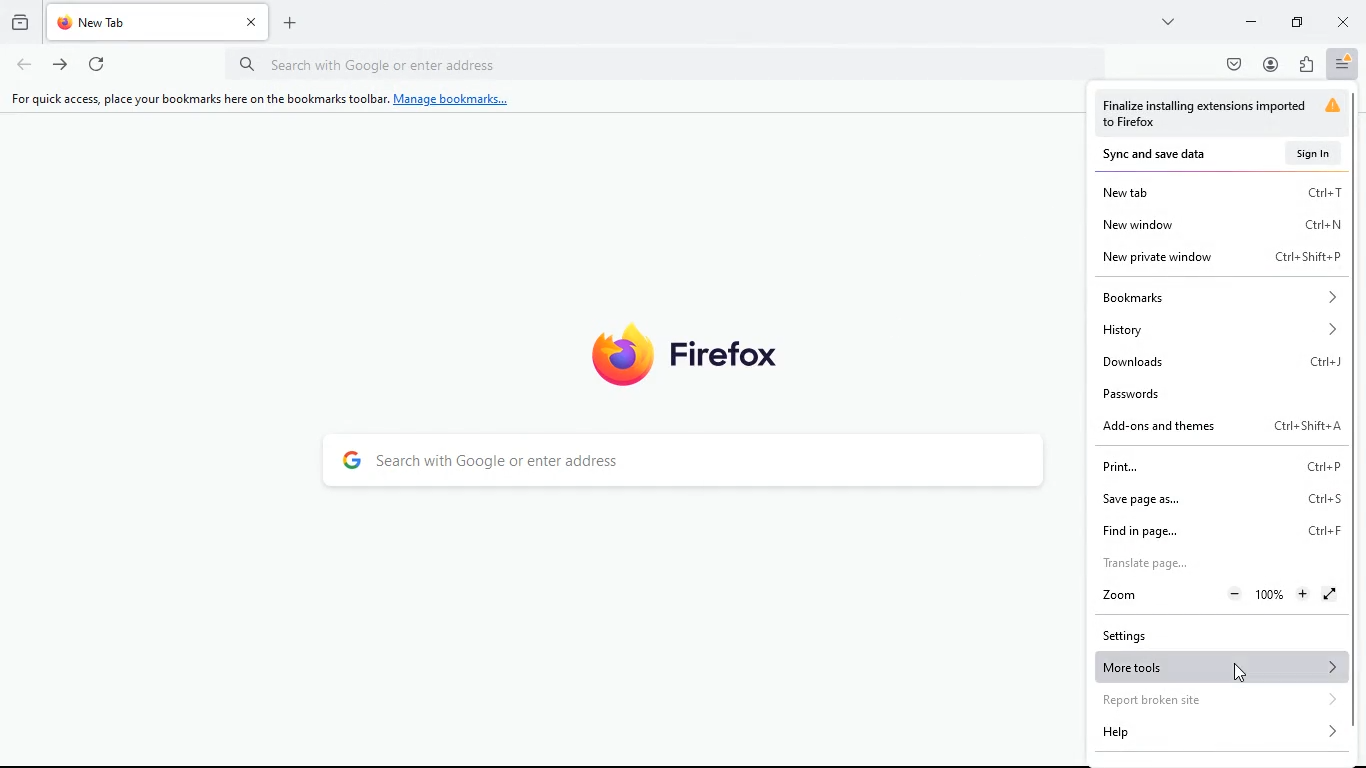 The width and height of the screenshot is (1366, 768). I want to click on back, so click(24, 66).